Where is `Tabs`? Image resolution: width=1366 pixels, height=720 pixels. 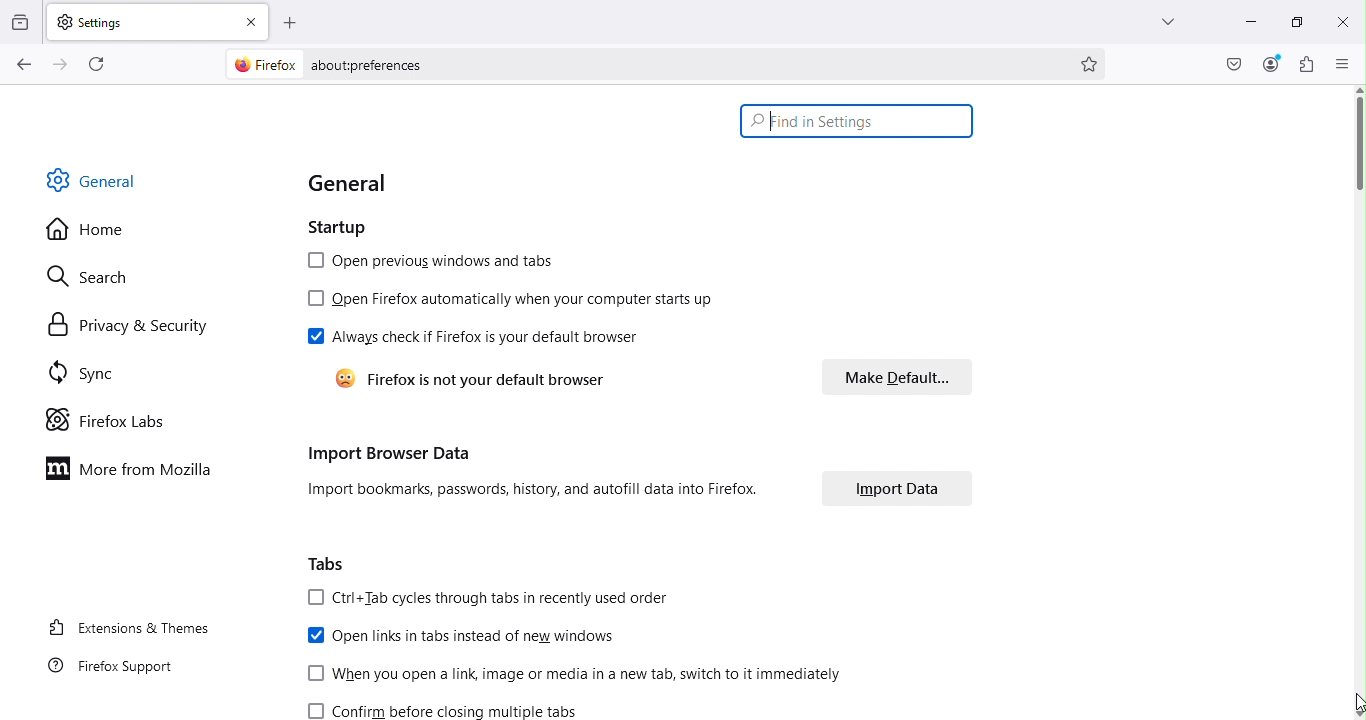
Tabs is located at coordinates (330, 563).